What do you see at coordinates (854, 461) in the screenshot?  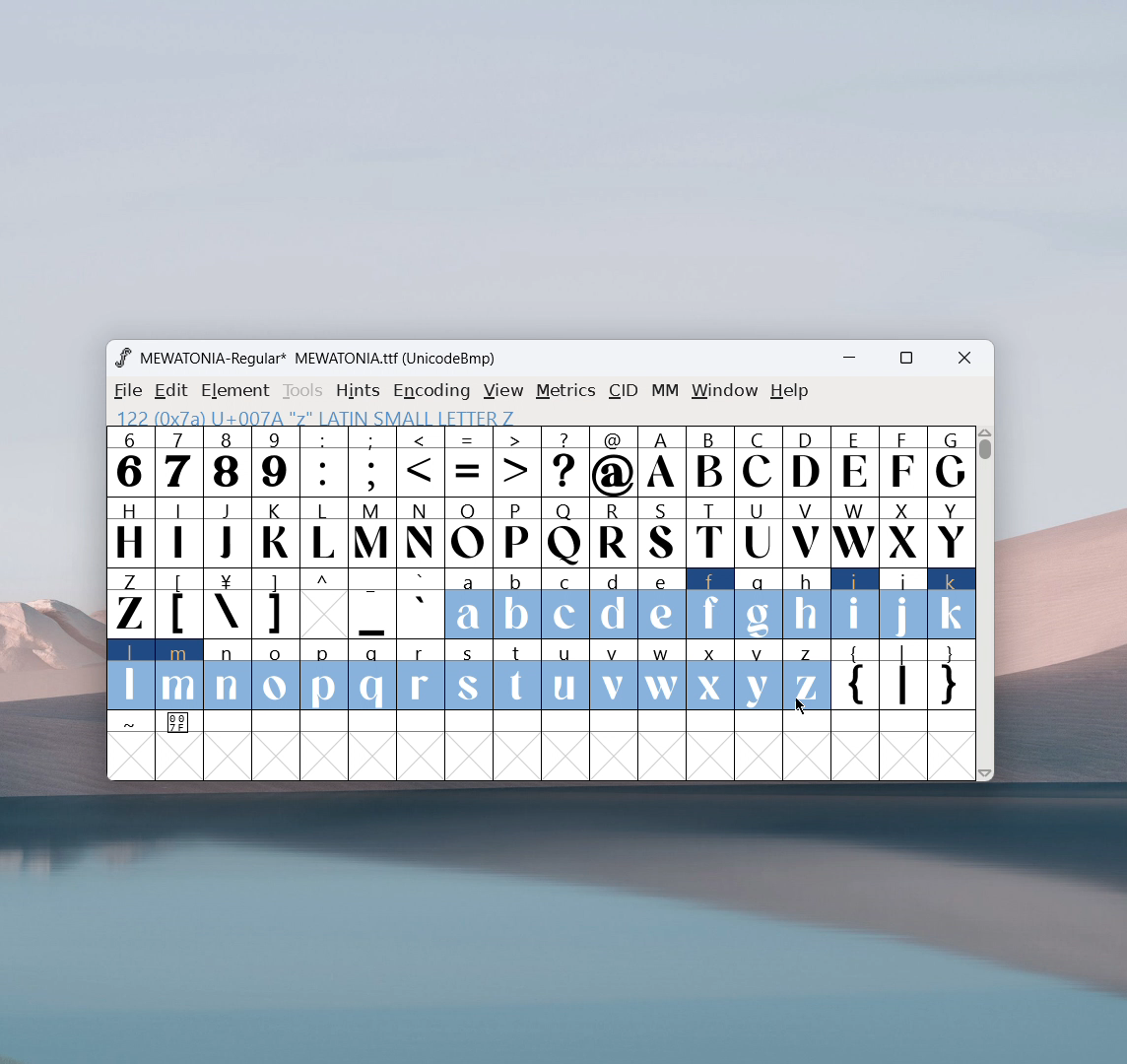 I see `E` at bounding box center [854, 461].